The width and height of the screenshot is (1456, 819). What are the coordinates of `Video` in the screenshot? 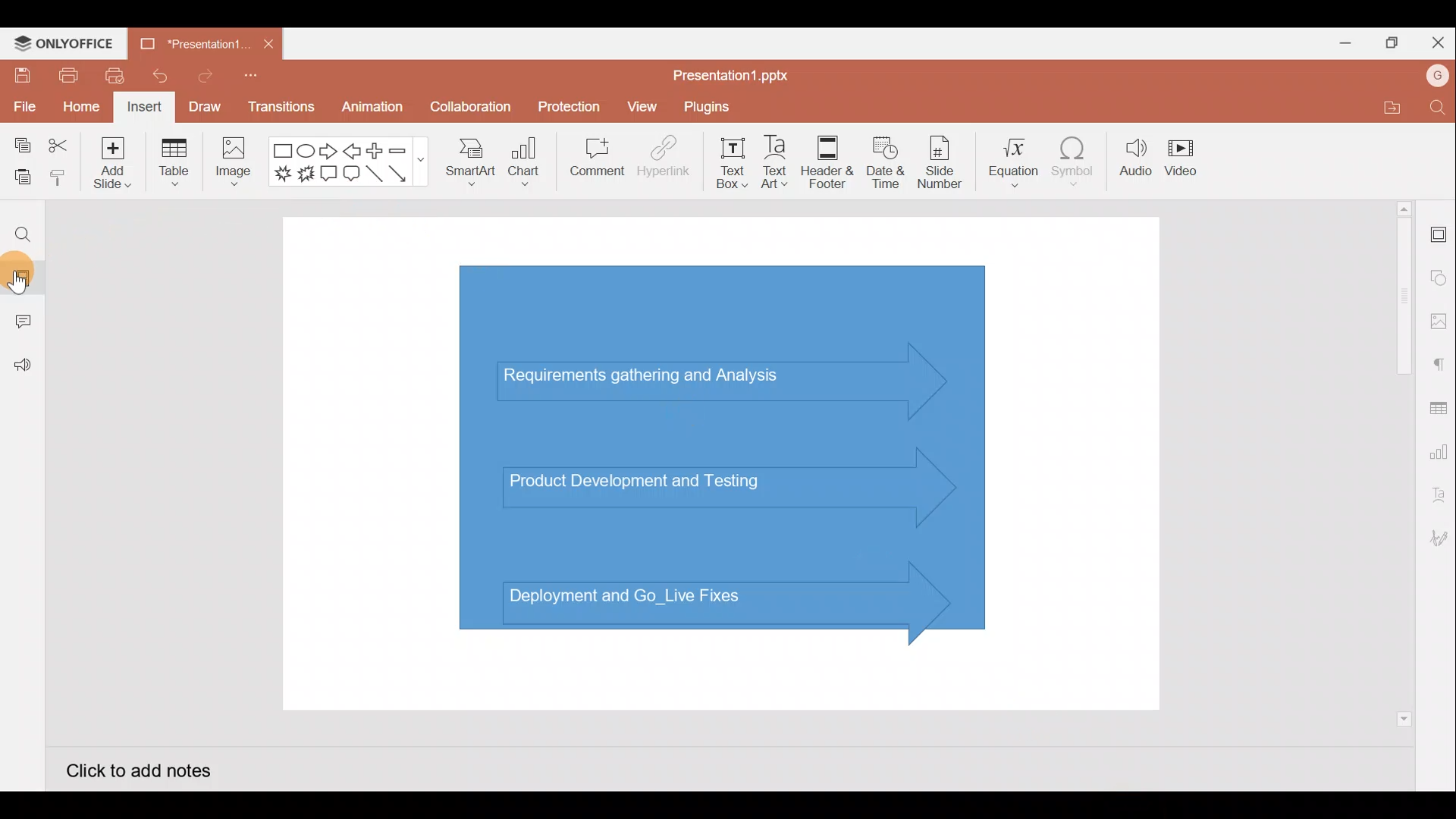 It's located at (1187, 157).